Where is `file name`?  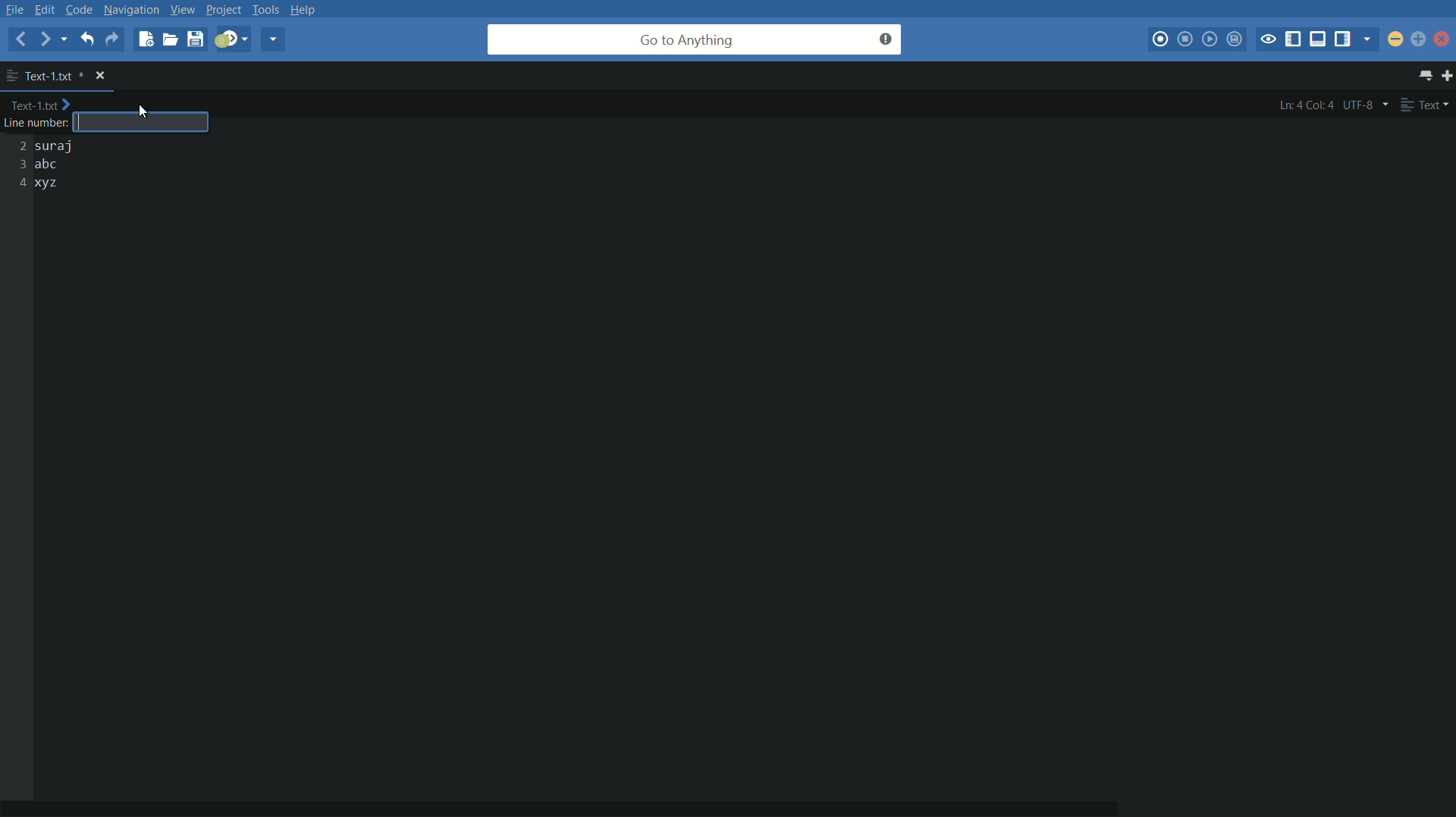 file name is located at coordinates (45, 75).